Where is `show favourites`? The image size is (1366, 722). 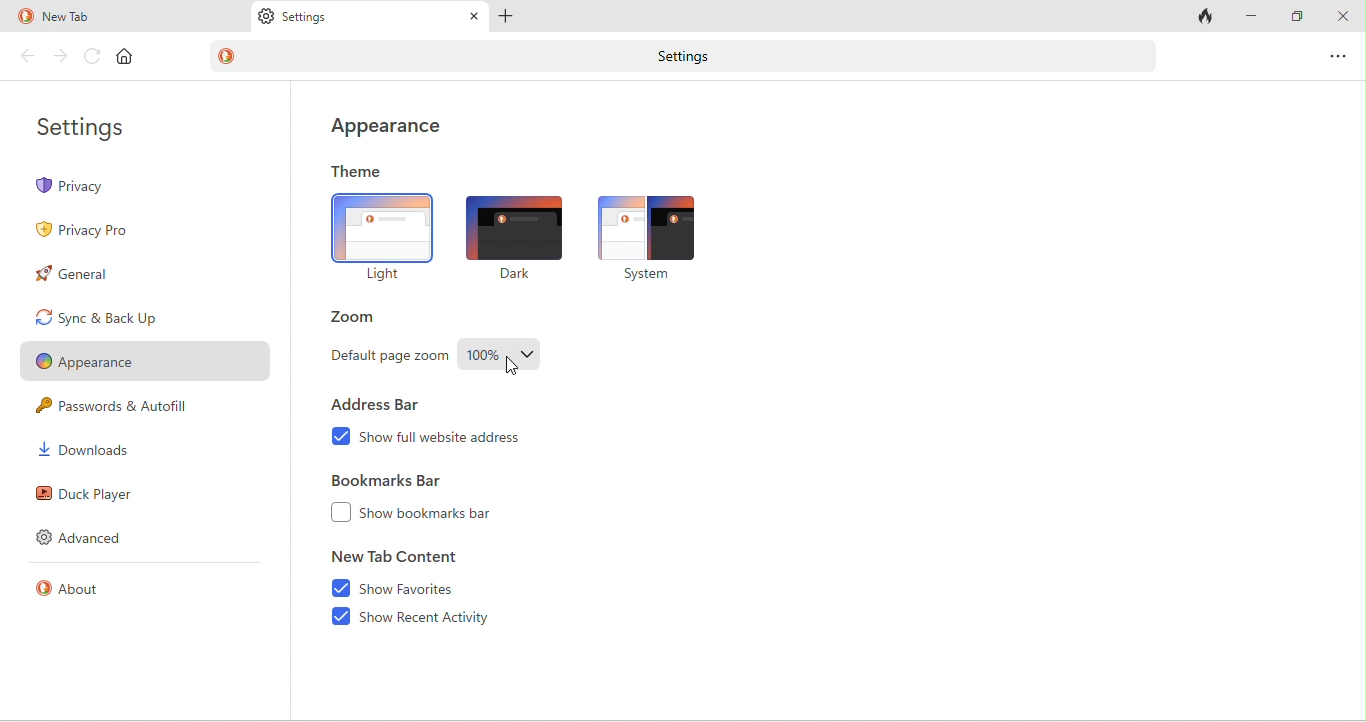 show favourites is located at coordinates (431, 586).